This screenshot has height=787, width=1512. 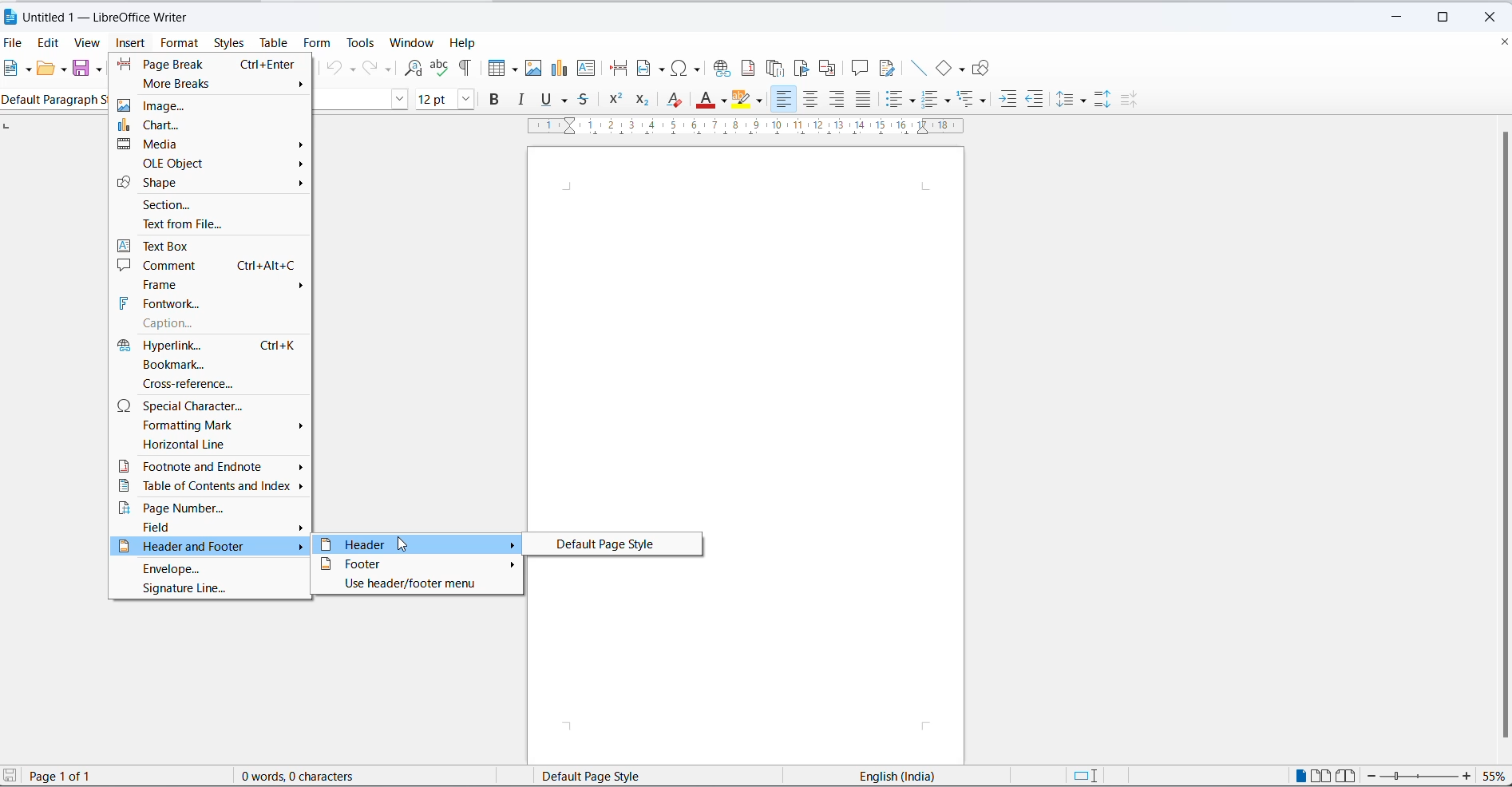 What do you see at coordinates (89, 42) in the screenshot?
I see `view` at bounding box center [89, 42].